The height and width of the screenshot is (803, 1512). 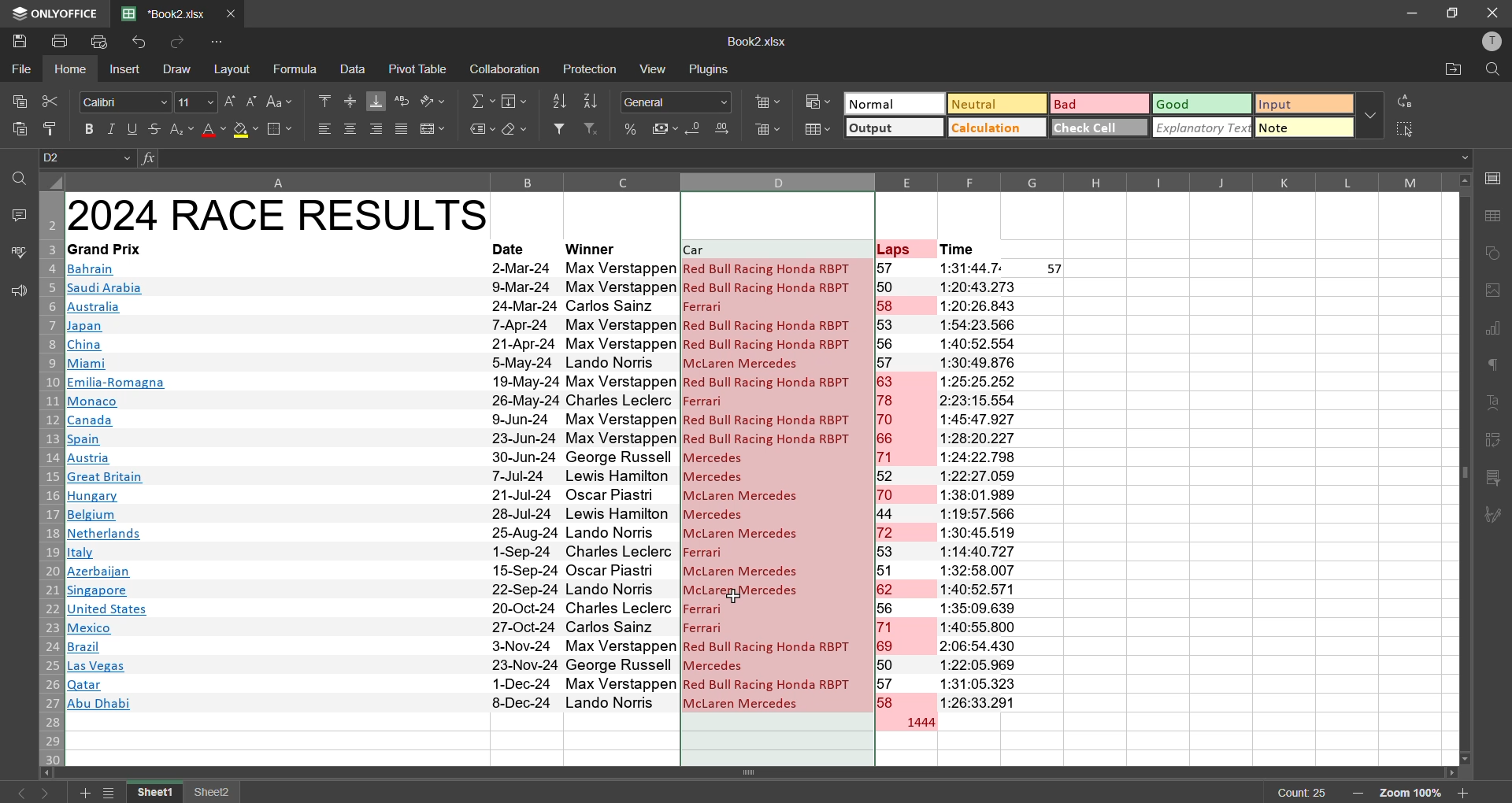 What do you see at coordinates (174, 43) in the screenshot?
I see `redo` at bounding box center [174, 43].